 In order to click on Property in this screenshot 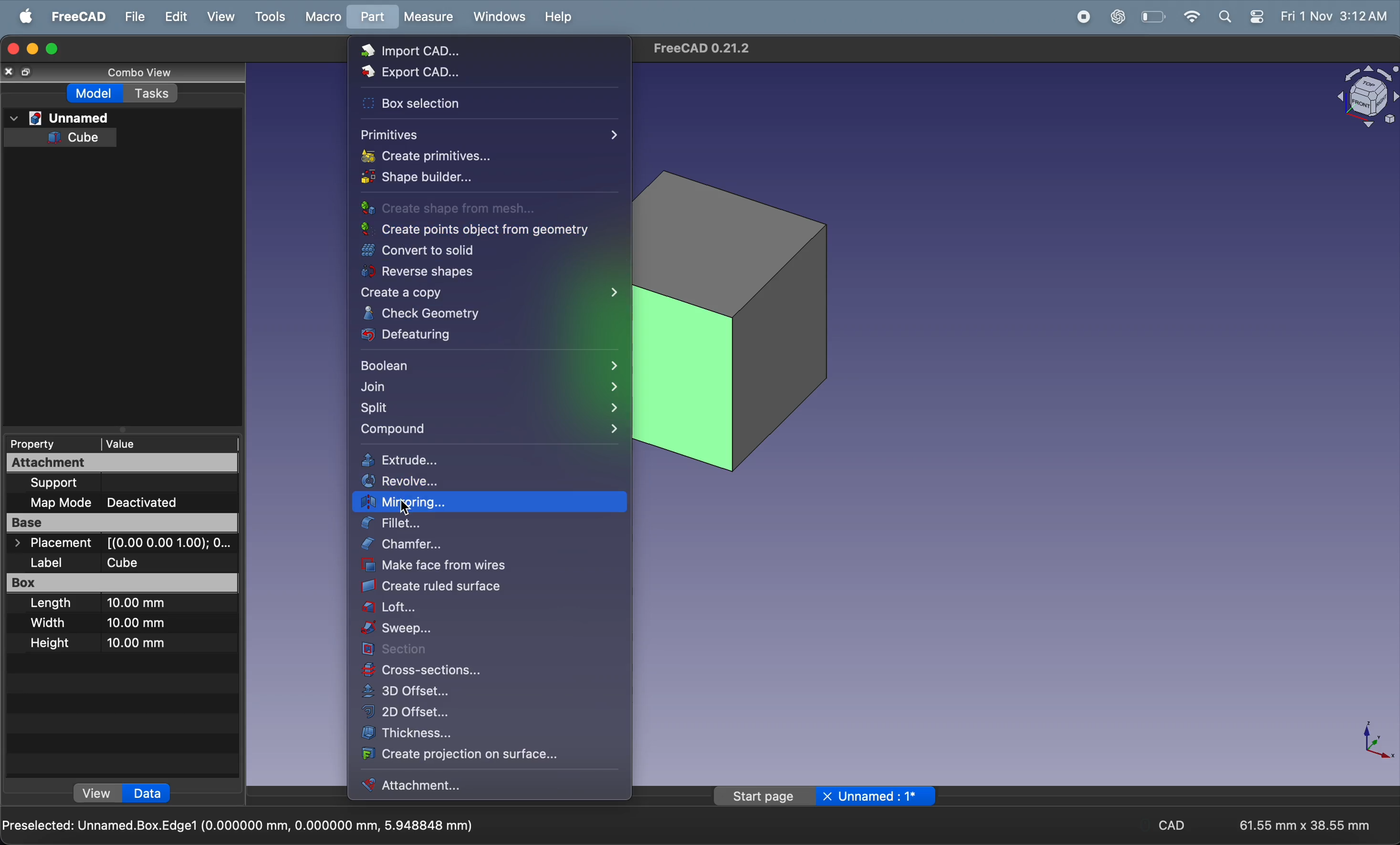, I will do `click(43, 445)`.